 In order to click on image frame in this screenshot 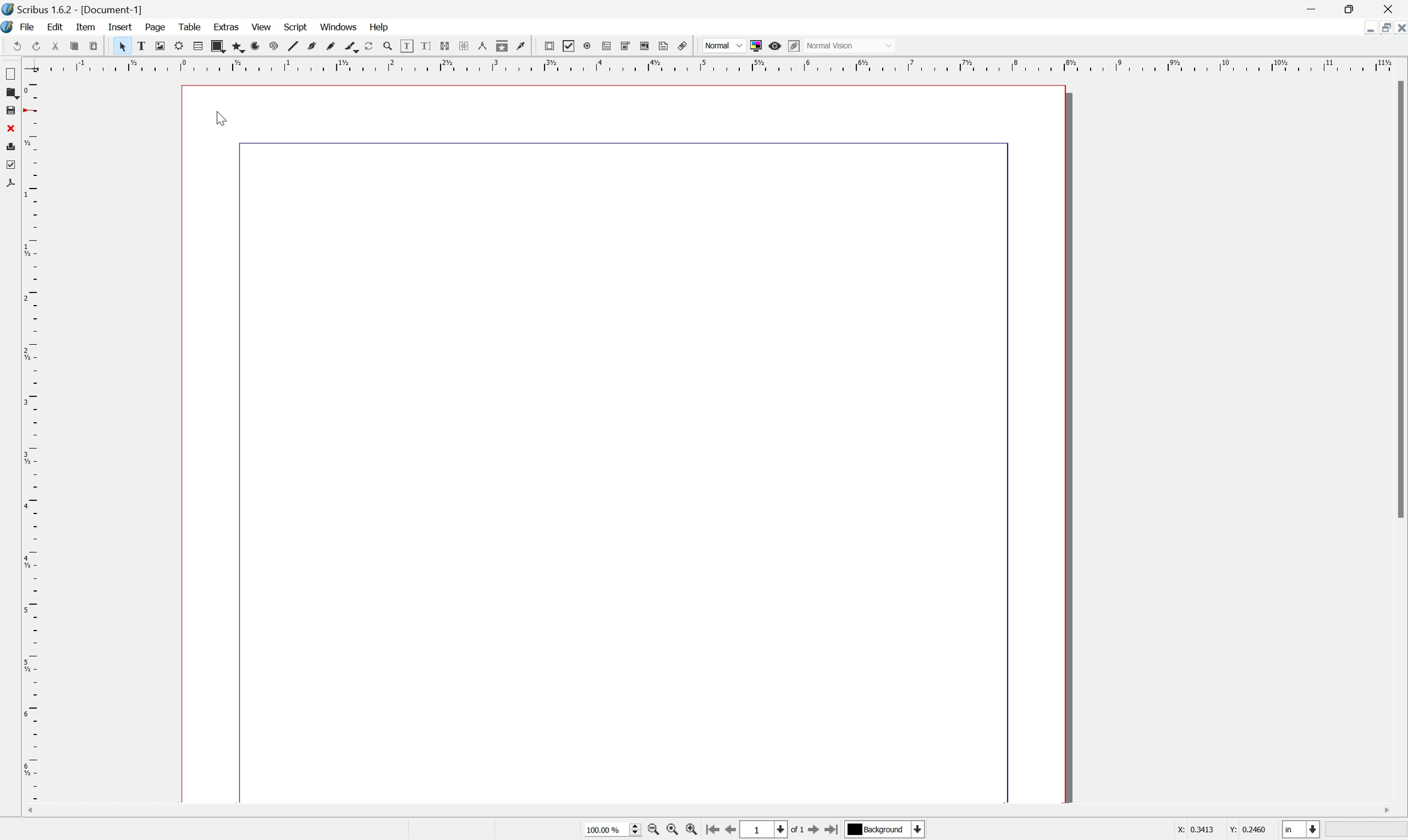, I will do `click(293, 45)`.